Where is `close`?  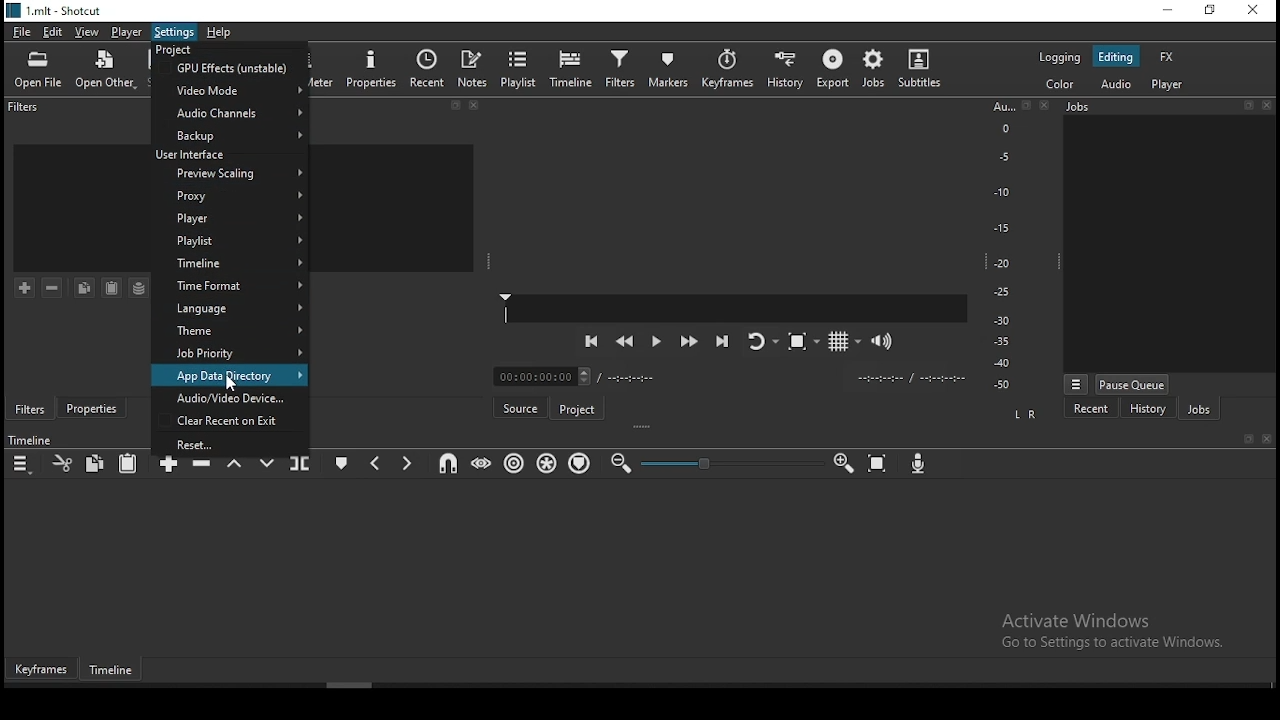 close is located at coordinates (1049, 106).